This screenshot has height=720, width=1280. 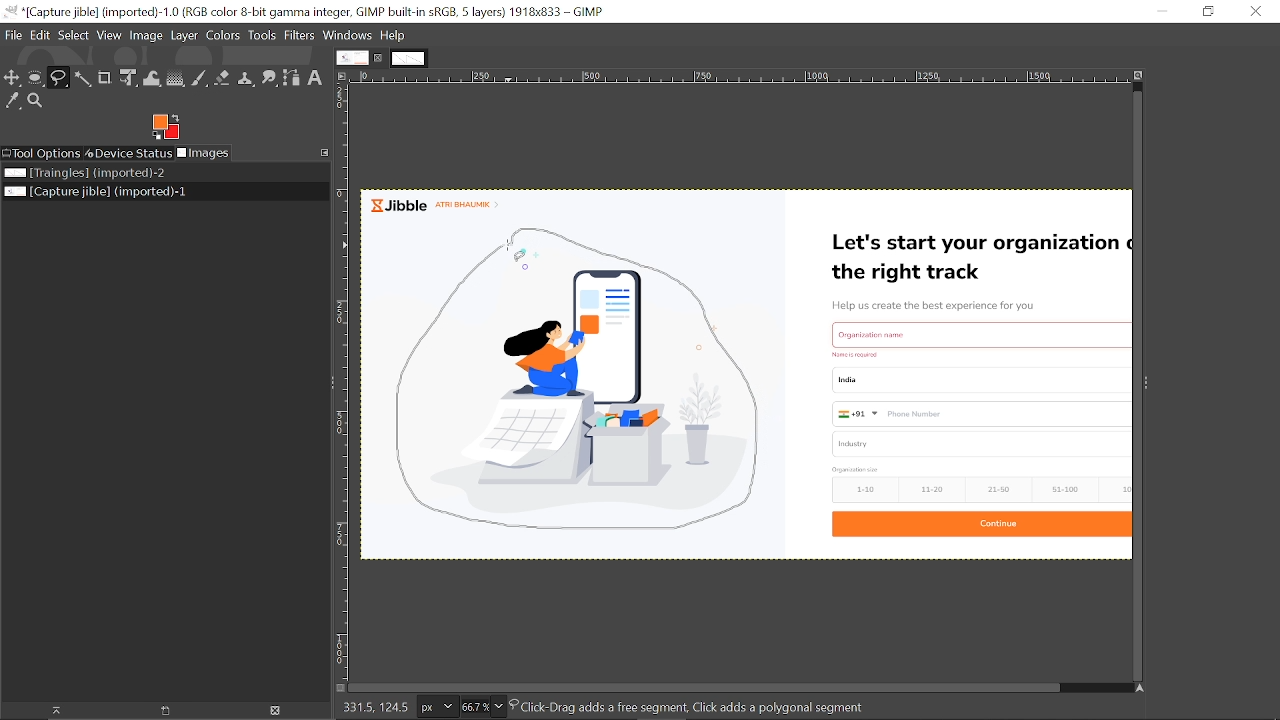 I want to click on Clone tool, so click(x=246, y=78).